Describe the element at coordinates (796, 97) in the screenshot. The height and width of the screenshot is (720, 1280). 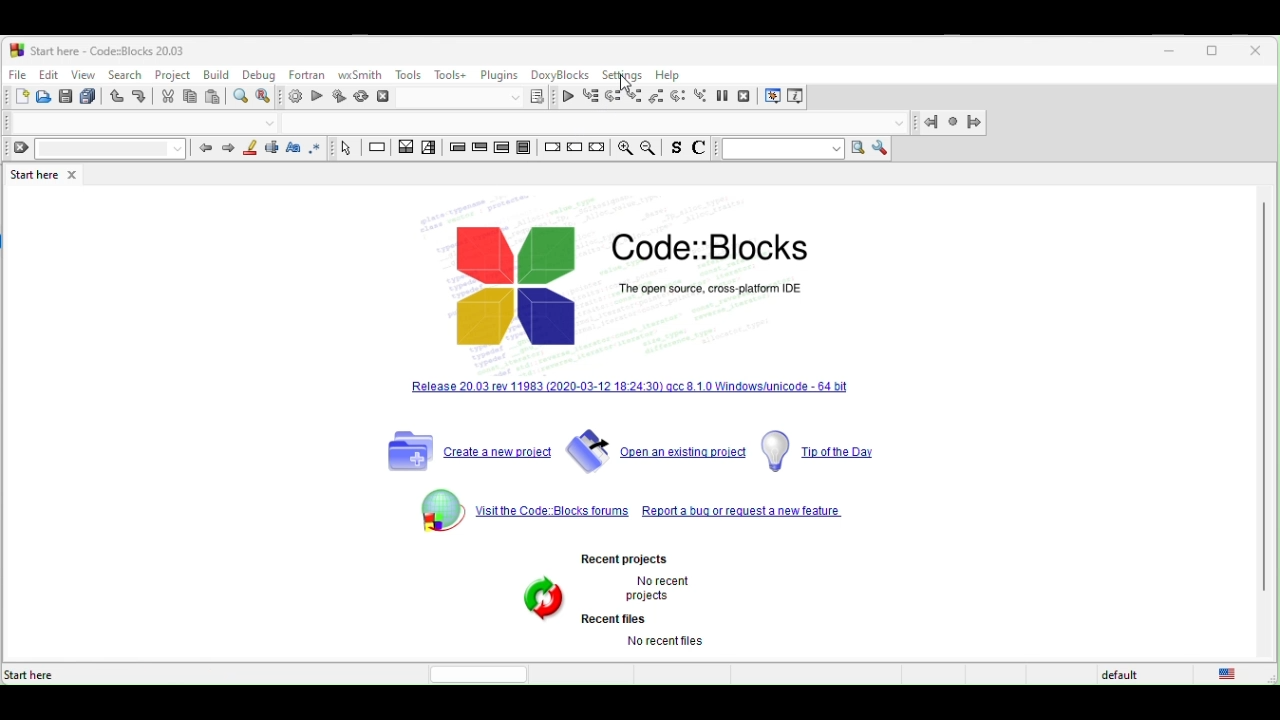
I see `various info` at that location.